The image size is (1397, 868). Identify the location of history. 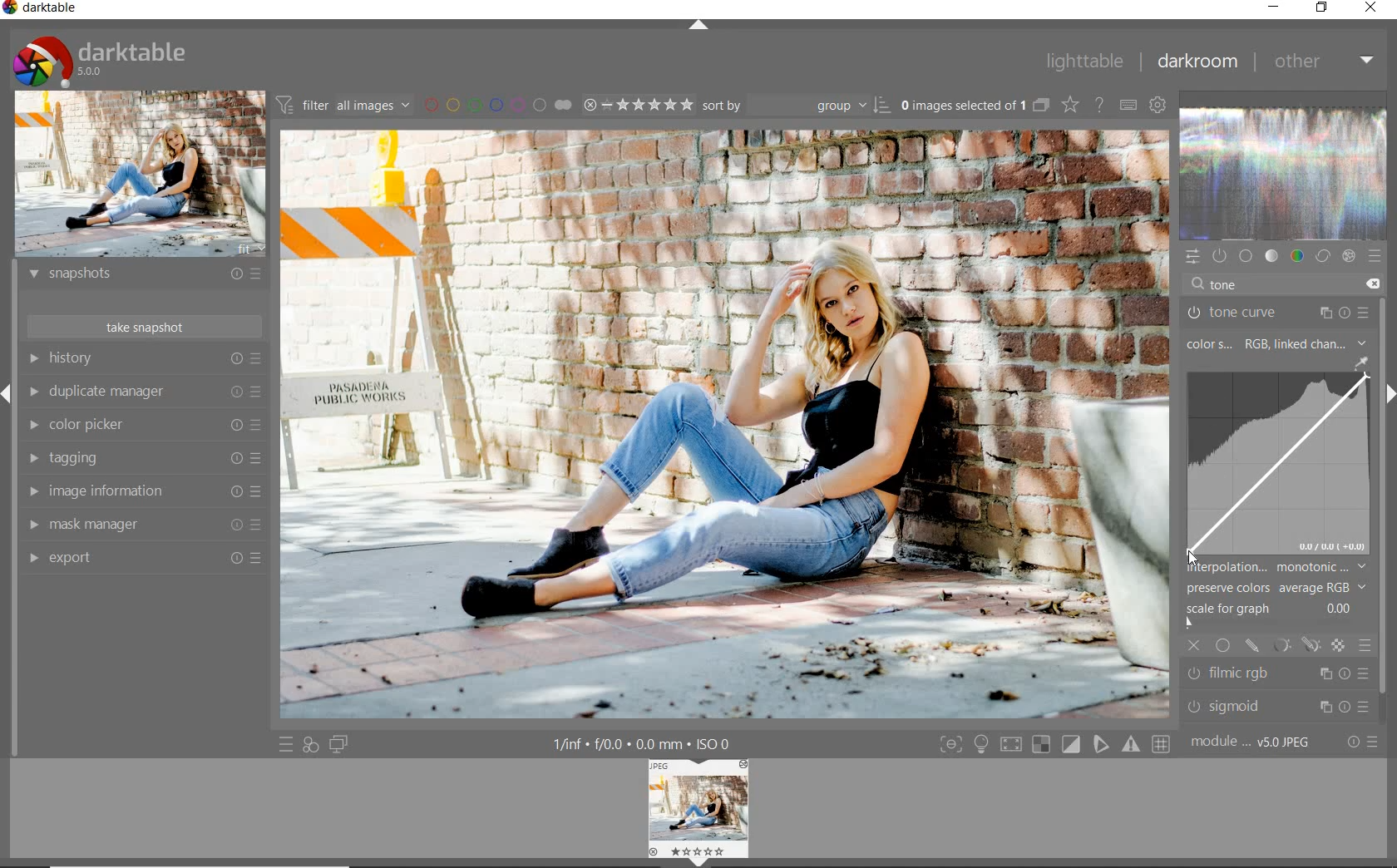
(144, 361).